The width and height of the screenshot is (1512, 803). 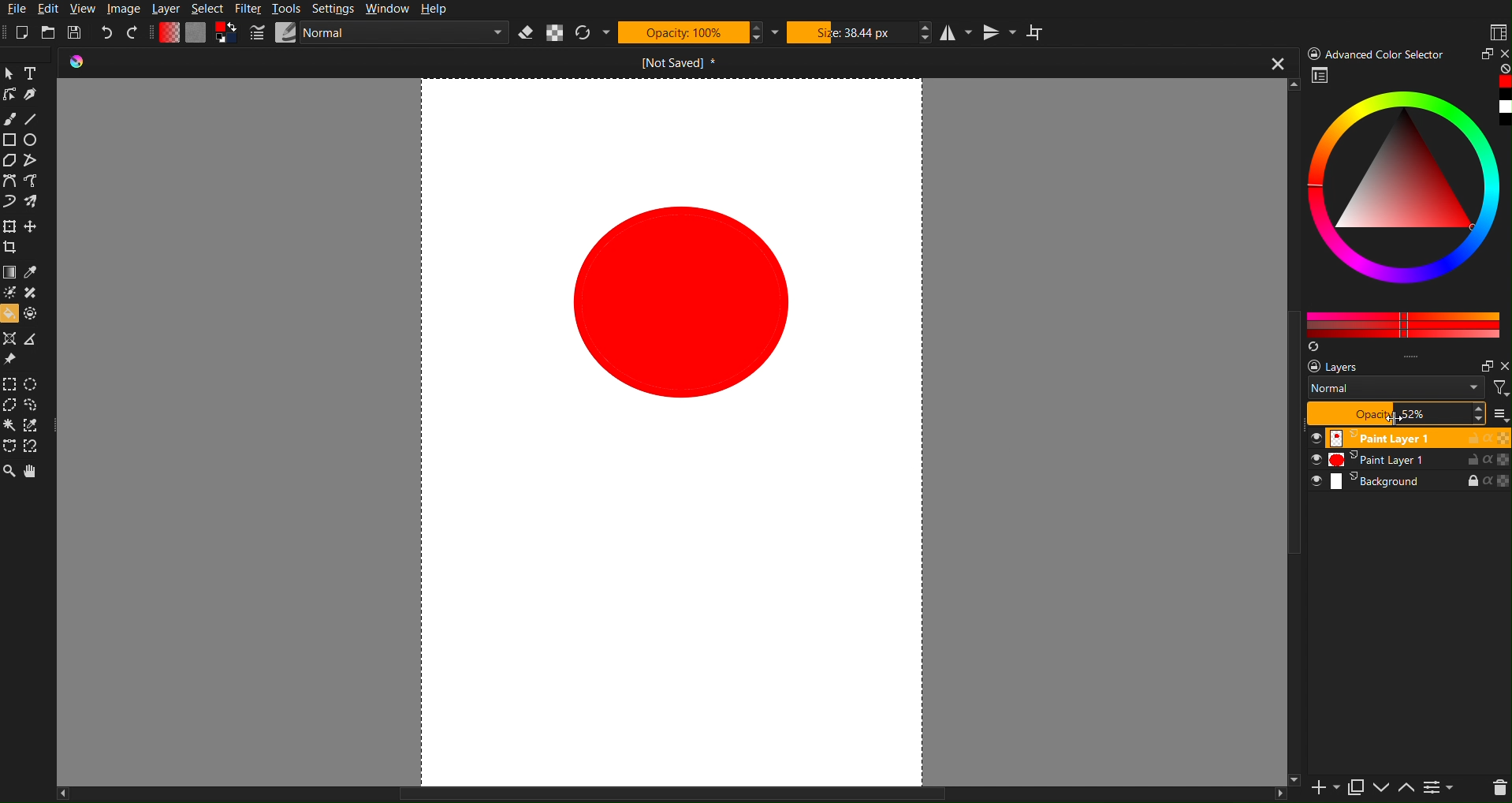 What do you see at coordinates (9, 226) in the screenshot?
I see `Transform` at bounding box center [9, 226].